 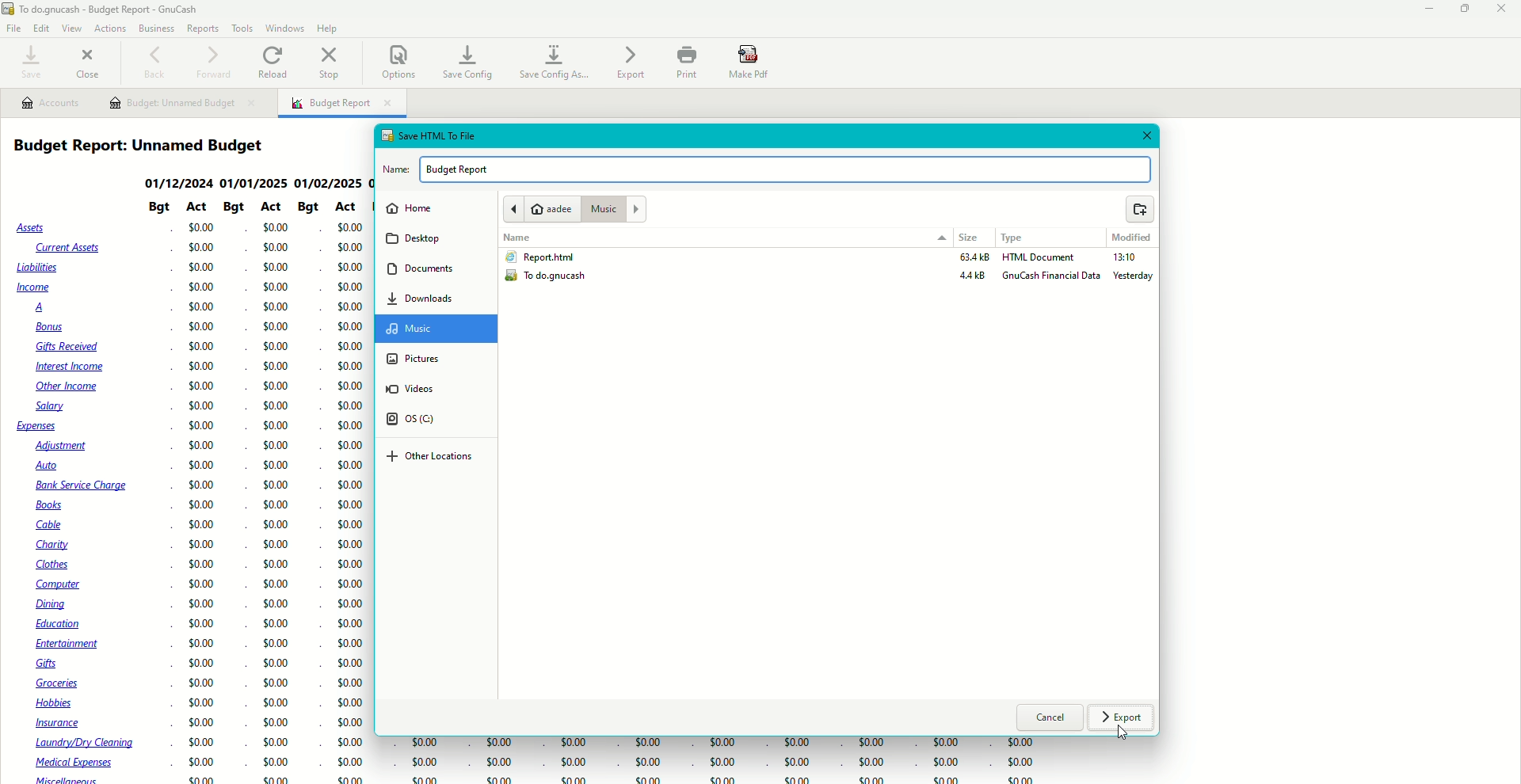 What do you see at coordinates (275, 61) in the screenshot?
I see `Reload` at bounding box center [275, 61].